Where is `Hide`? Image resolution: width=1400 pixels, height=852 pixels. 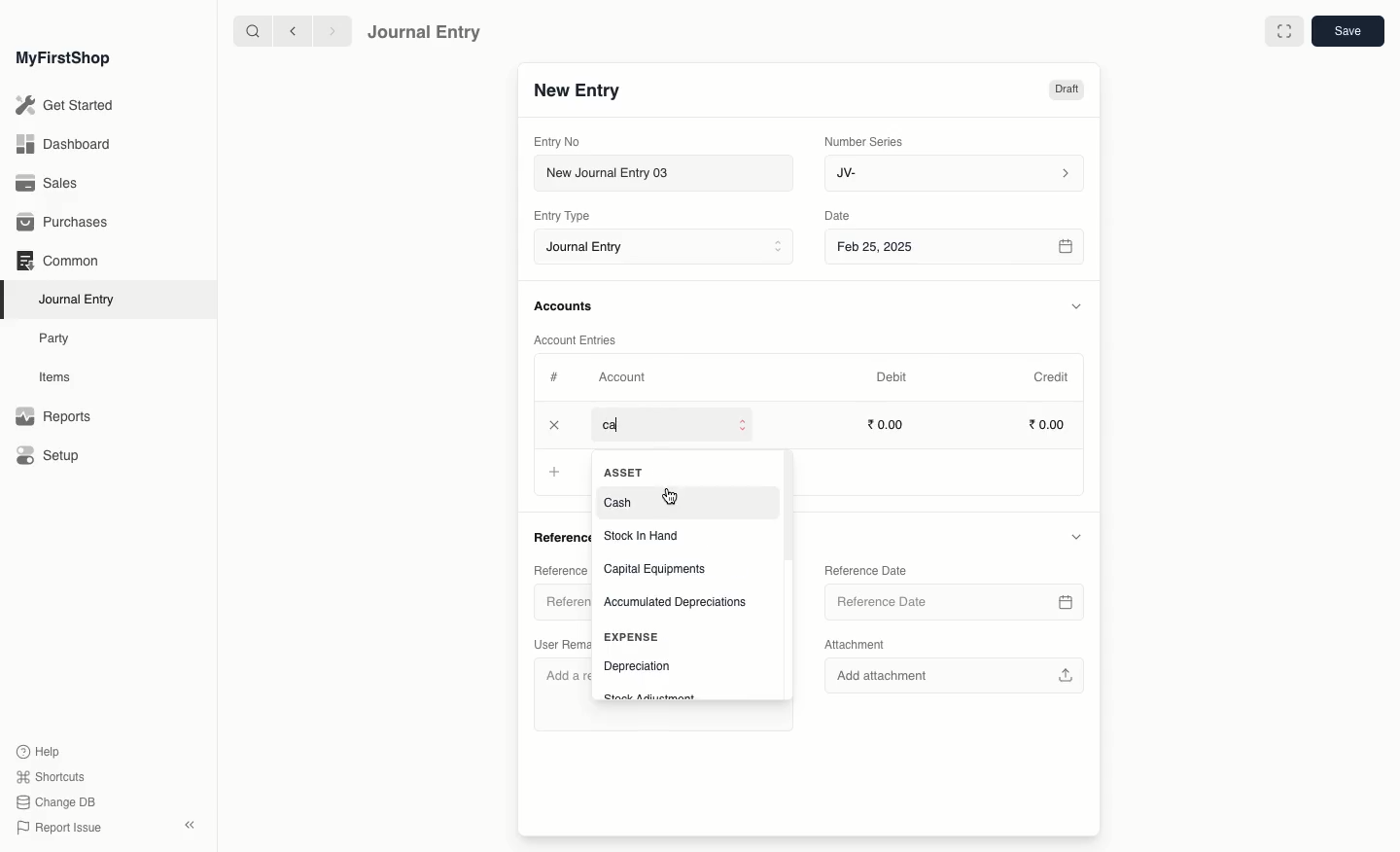 Hide is located at coordinates (1075, 537).